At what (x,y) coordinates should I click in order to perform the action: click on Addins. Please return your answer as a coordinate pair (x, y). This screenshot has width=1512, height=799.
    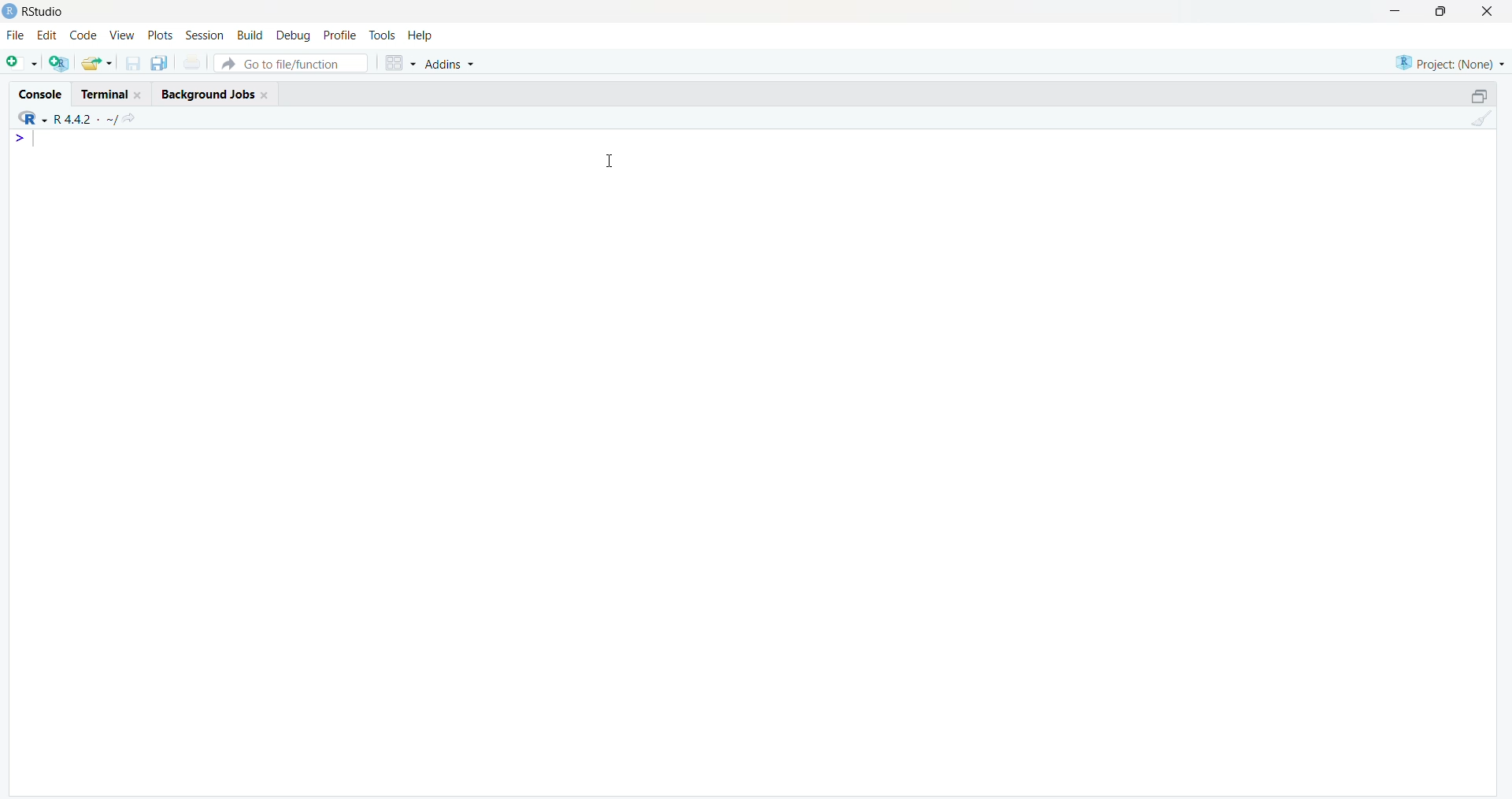
    Looking at the image, I should click on (450, 63).